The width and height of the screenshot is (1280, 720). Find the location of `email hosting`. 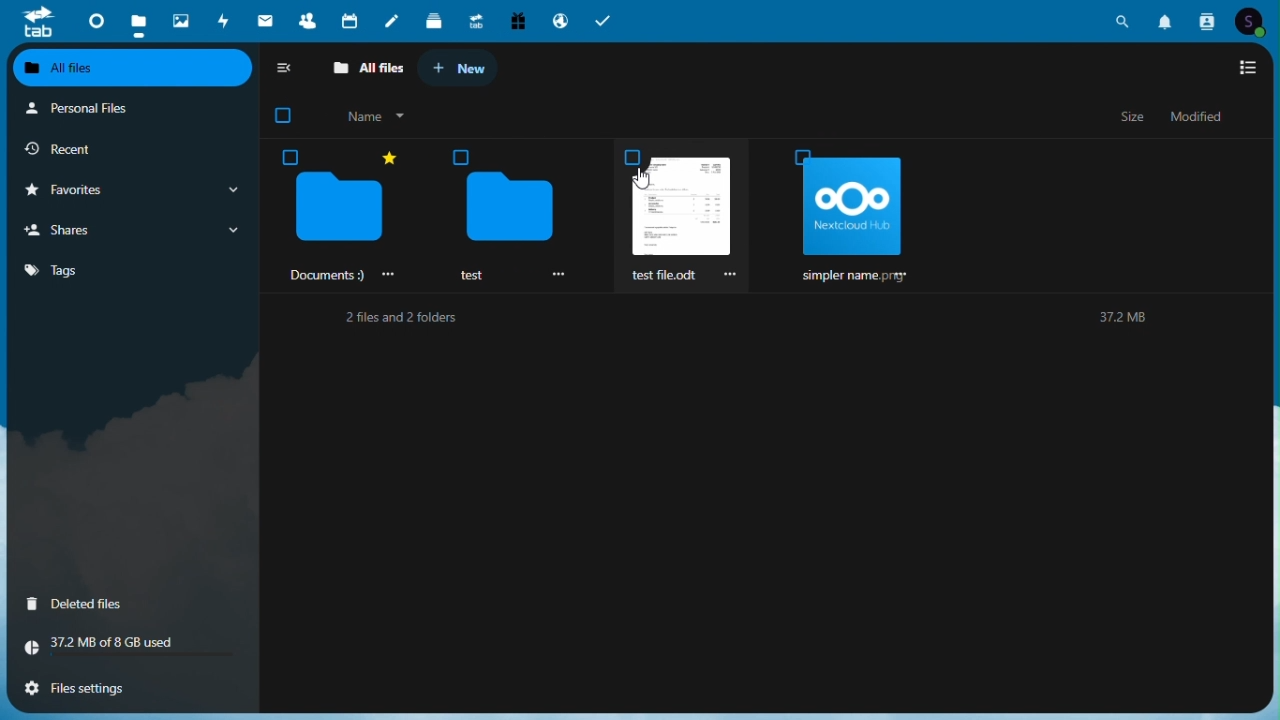

email hosting is located at coordinates (560, 17).